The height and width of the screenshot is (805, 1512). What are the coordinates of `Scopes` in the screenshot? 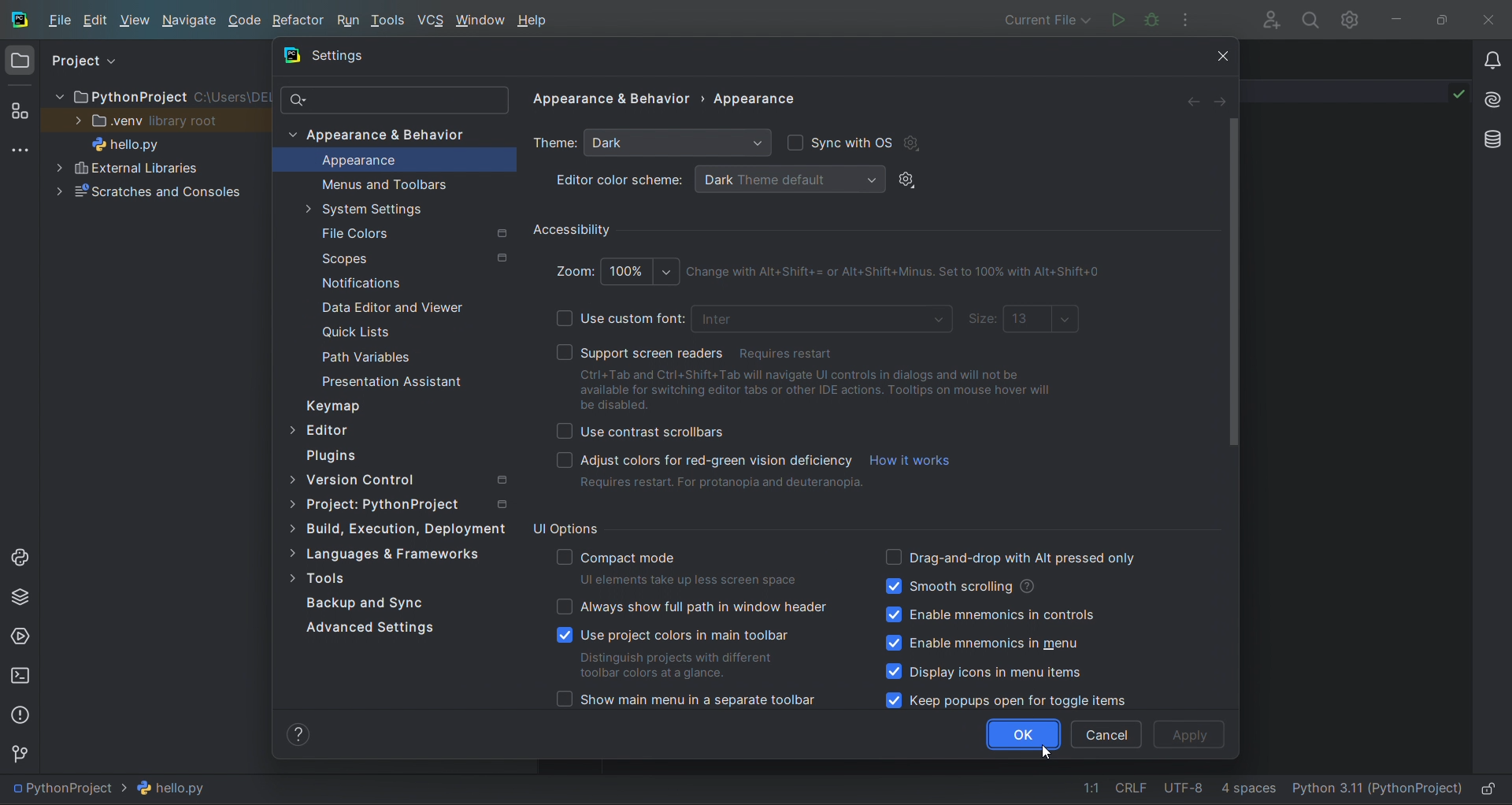 It's located at (398, 262).